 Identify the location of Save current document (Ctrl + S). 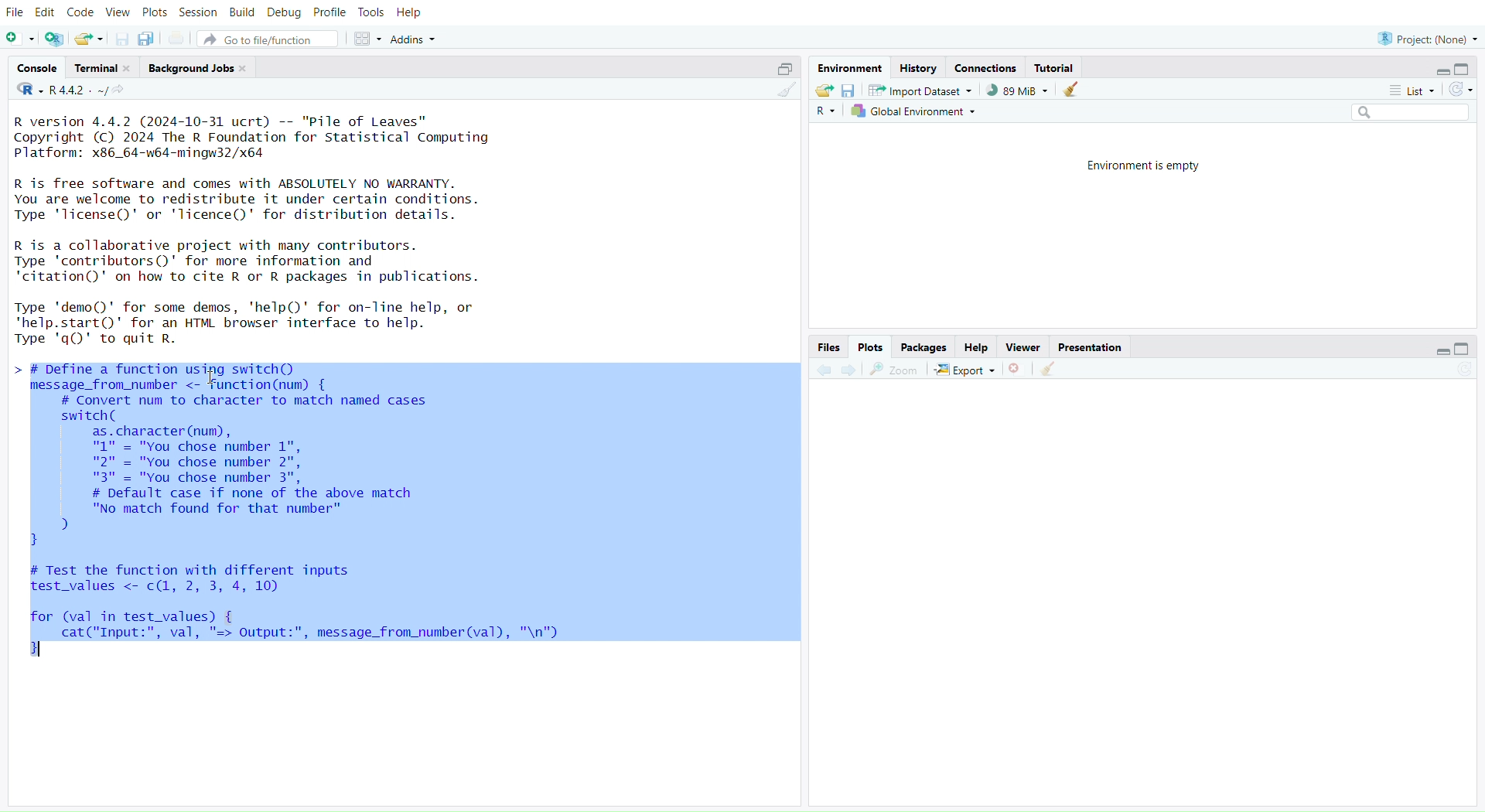
(119, 39).